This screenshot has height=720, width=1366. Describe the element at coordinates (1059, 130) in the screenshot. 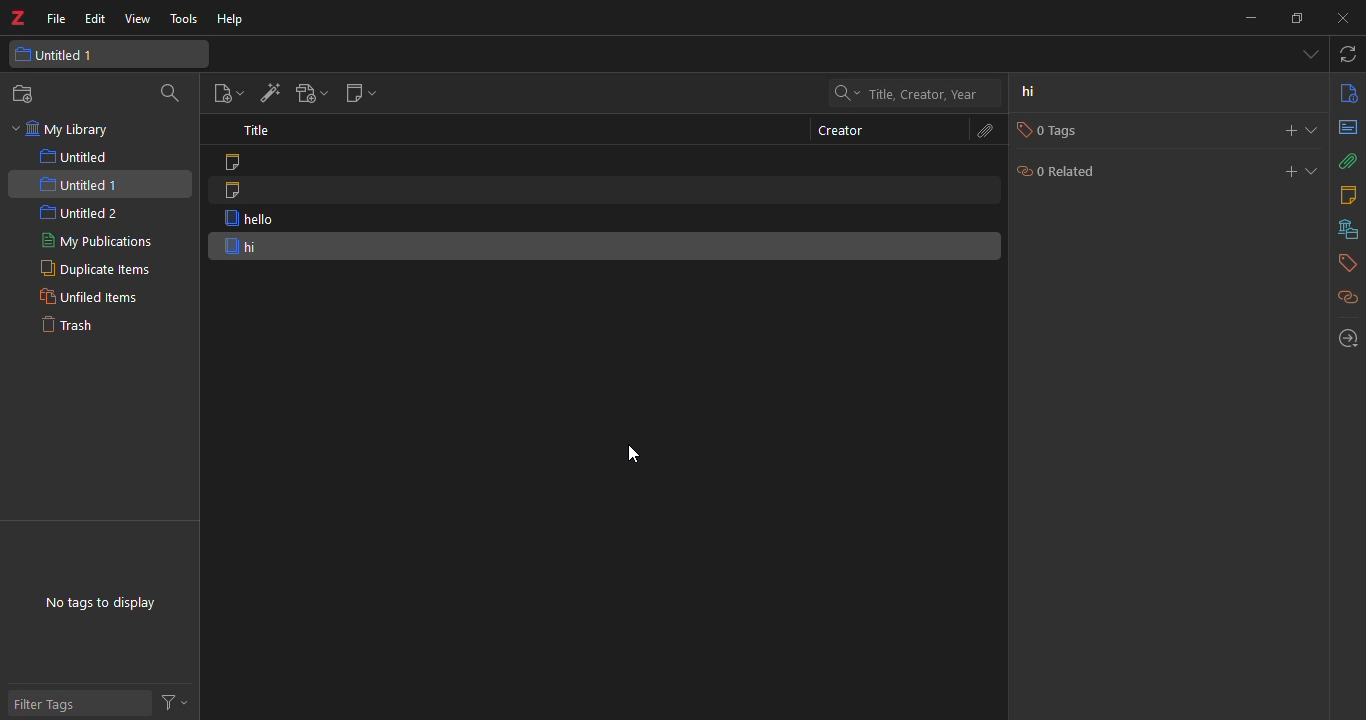

I see `0 tags` at that location.